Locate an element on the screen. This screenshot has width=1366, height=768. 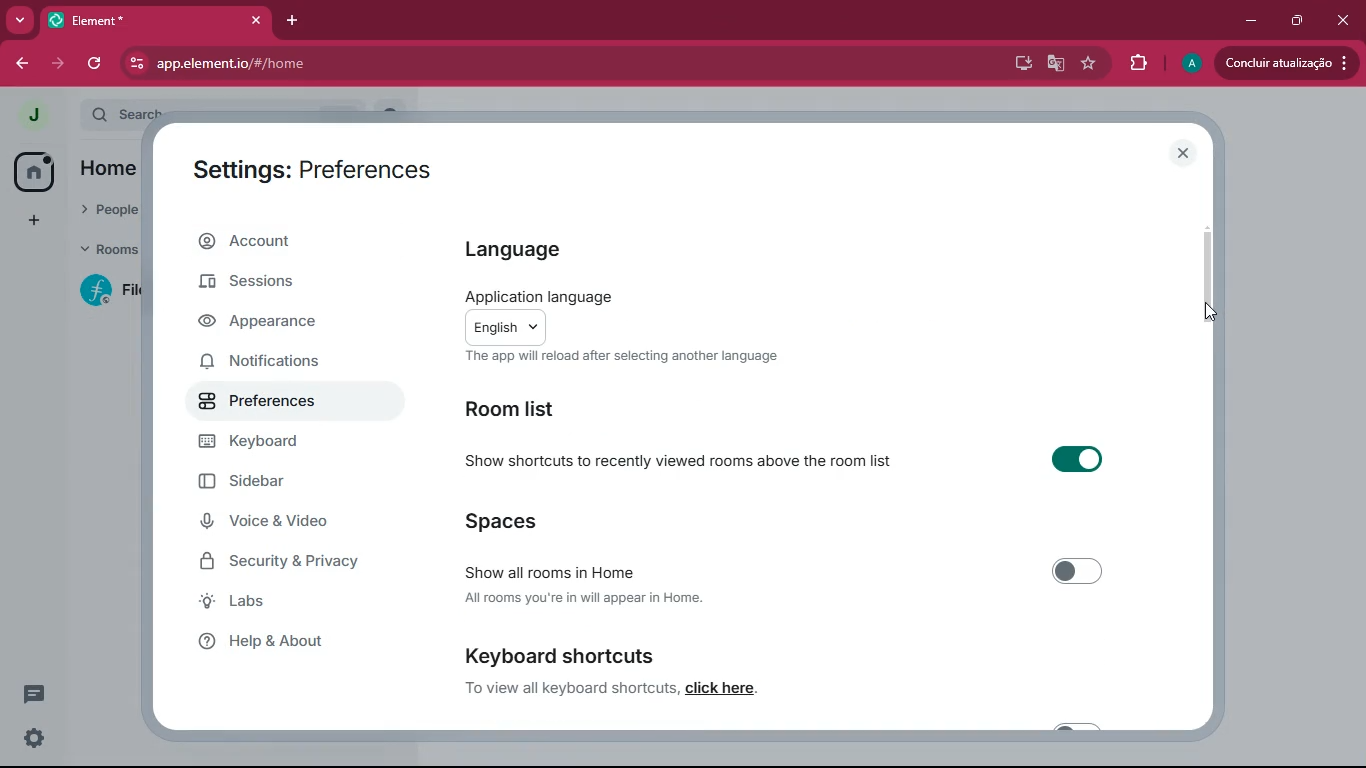
Show shortcuts to recently viewed rooms above the room list is located at coordinates (788, 457).